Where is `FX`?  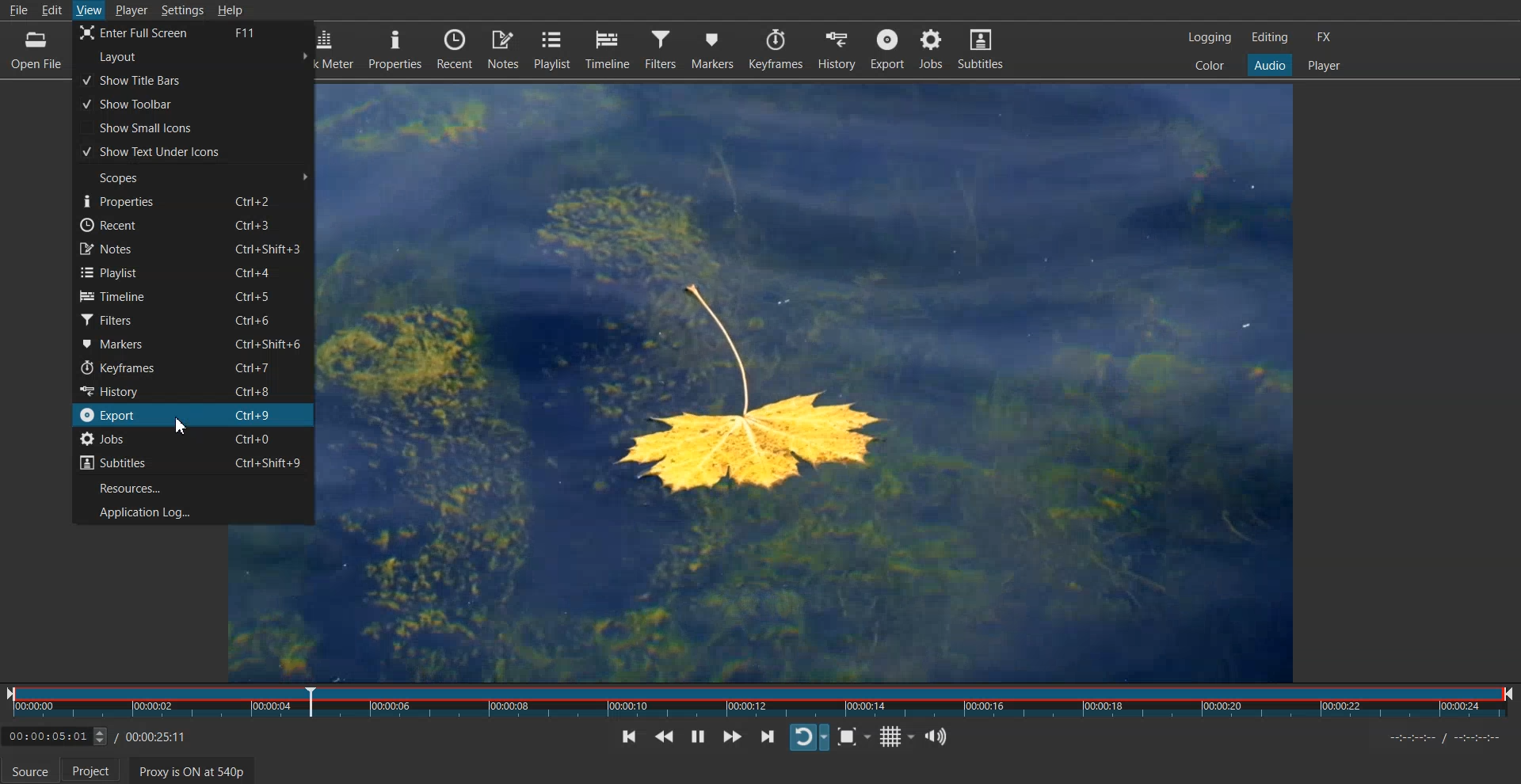
FX is located at coordinates (1322, 37).